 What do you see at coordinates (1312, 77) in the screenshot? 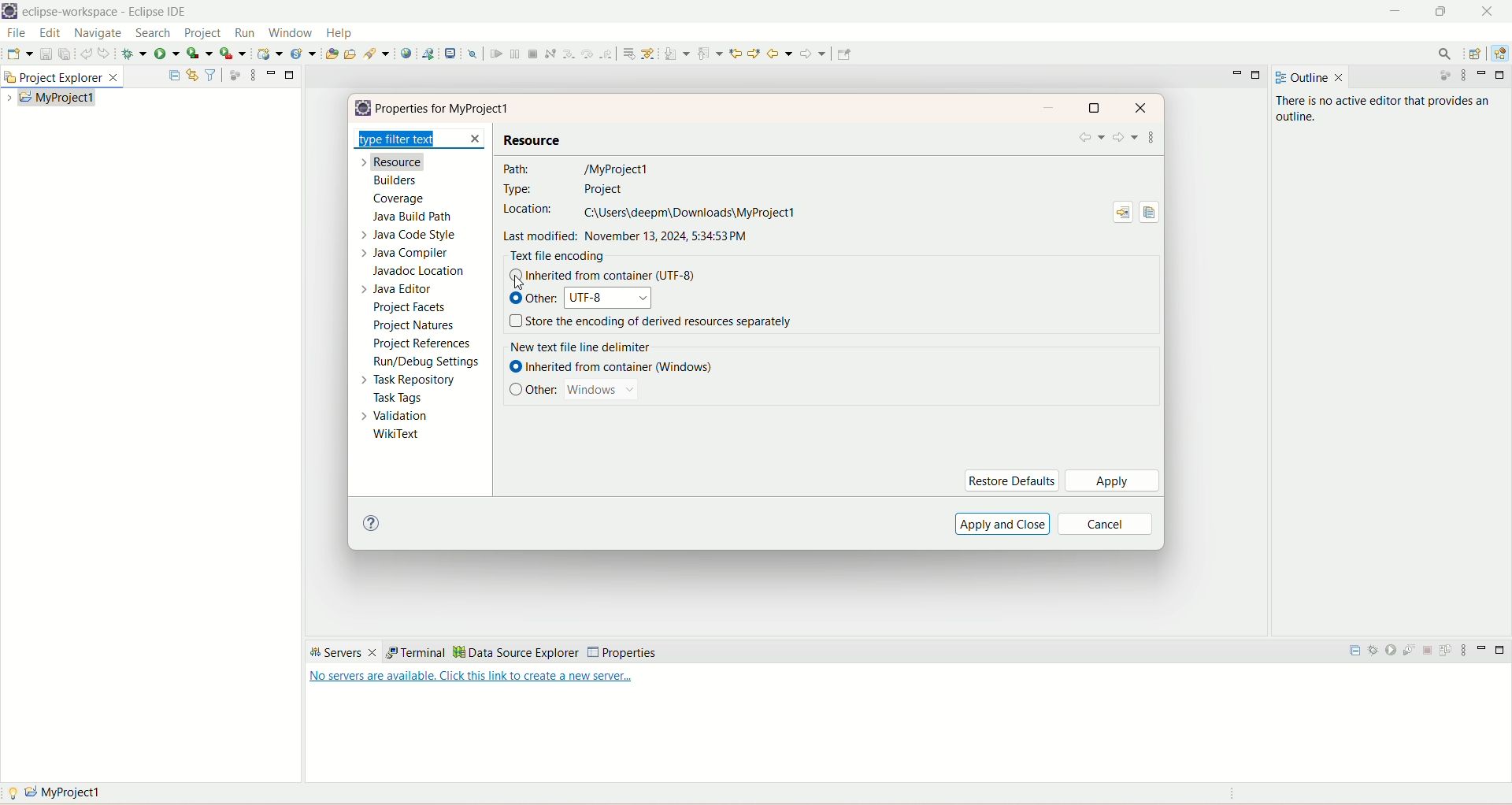
I see `outline` at bounding box center [1312, 77].